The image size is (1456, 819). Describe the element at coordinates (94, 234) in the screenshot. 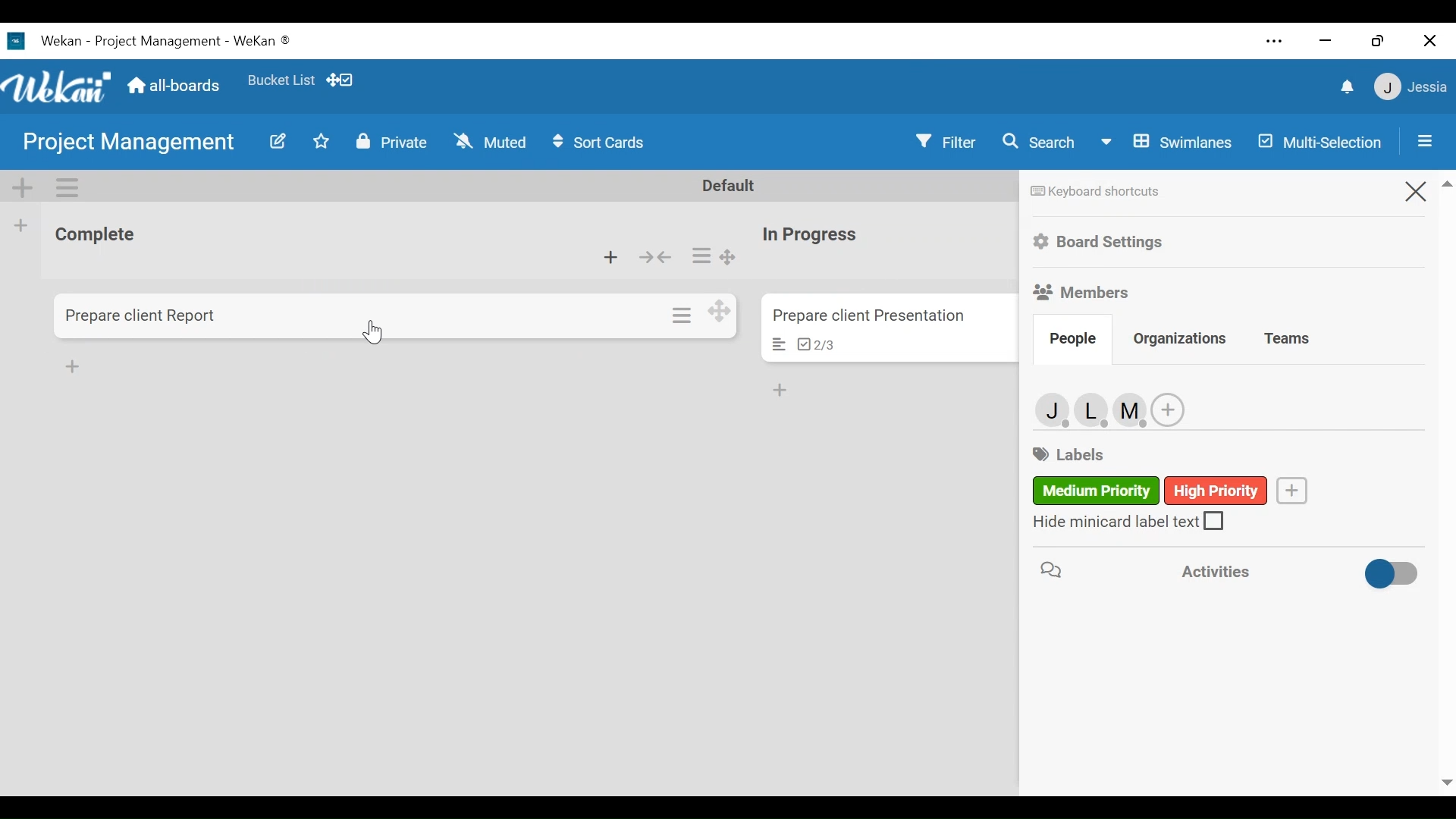

I see `List Title` at that location.